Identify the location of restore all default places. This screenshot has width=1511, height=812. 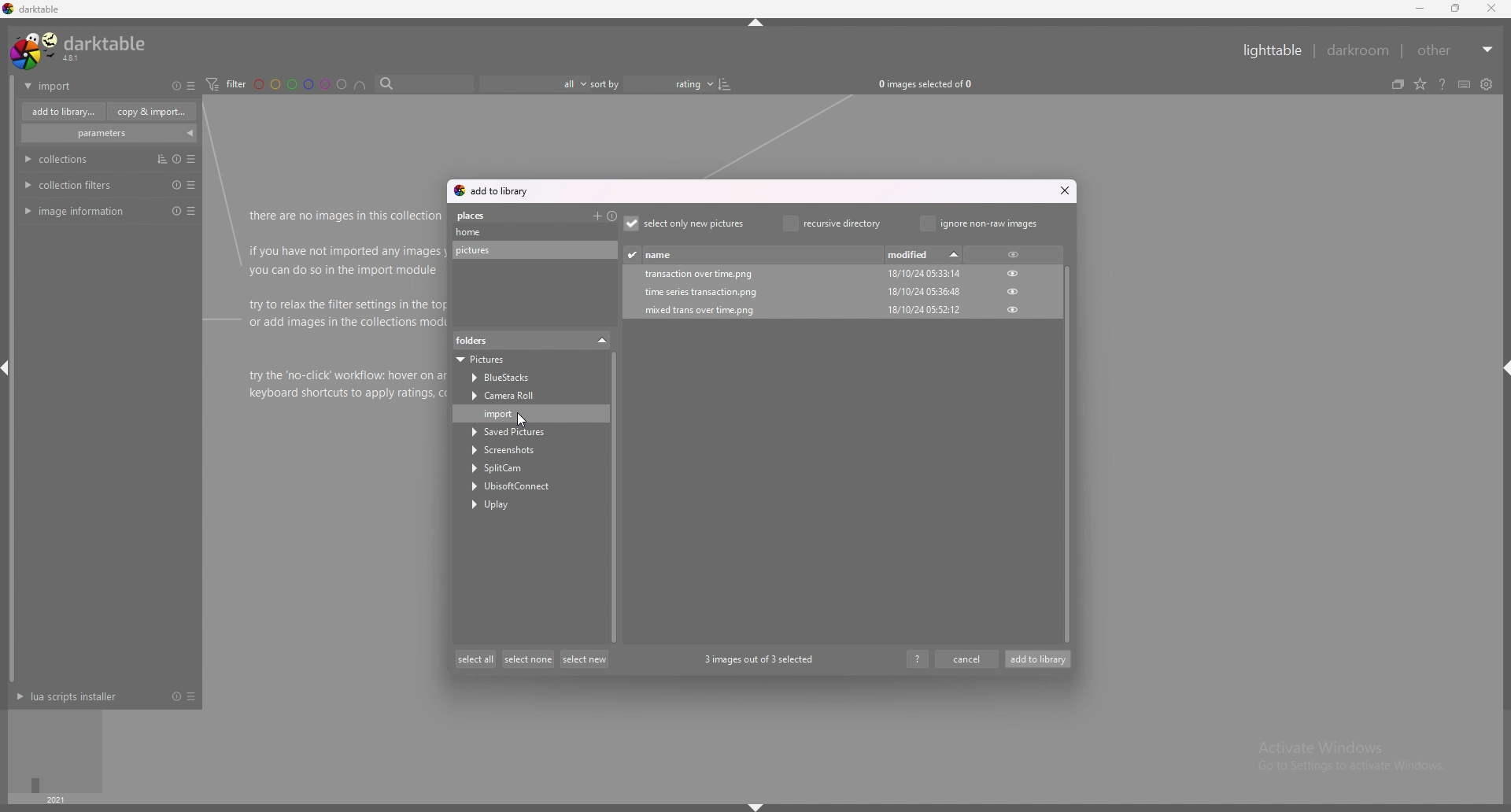
(612, 216).